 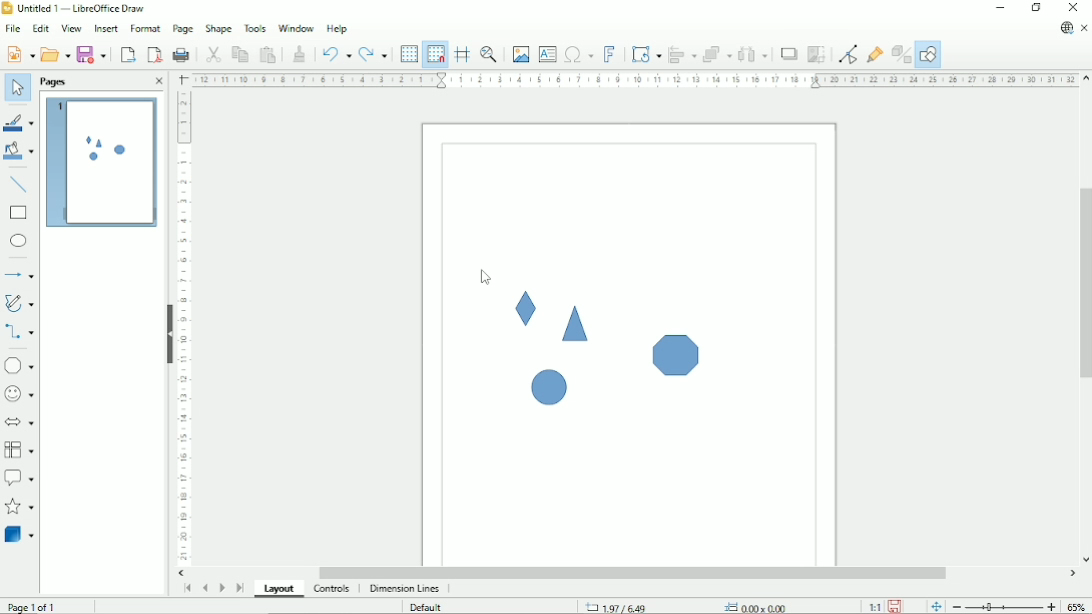 What do you see at coordinates (874, 606) in the screenshot?
I see `Scaling factor` at bounding box center [874, 606].